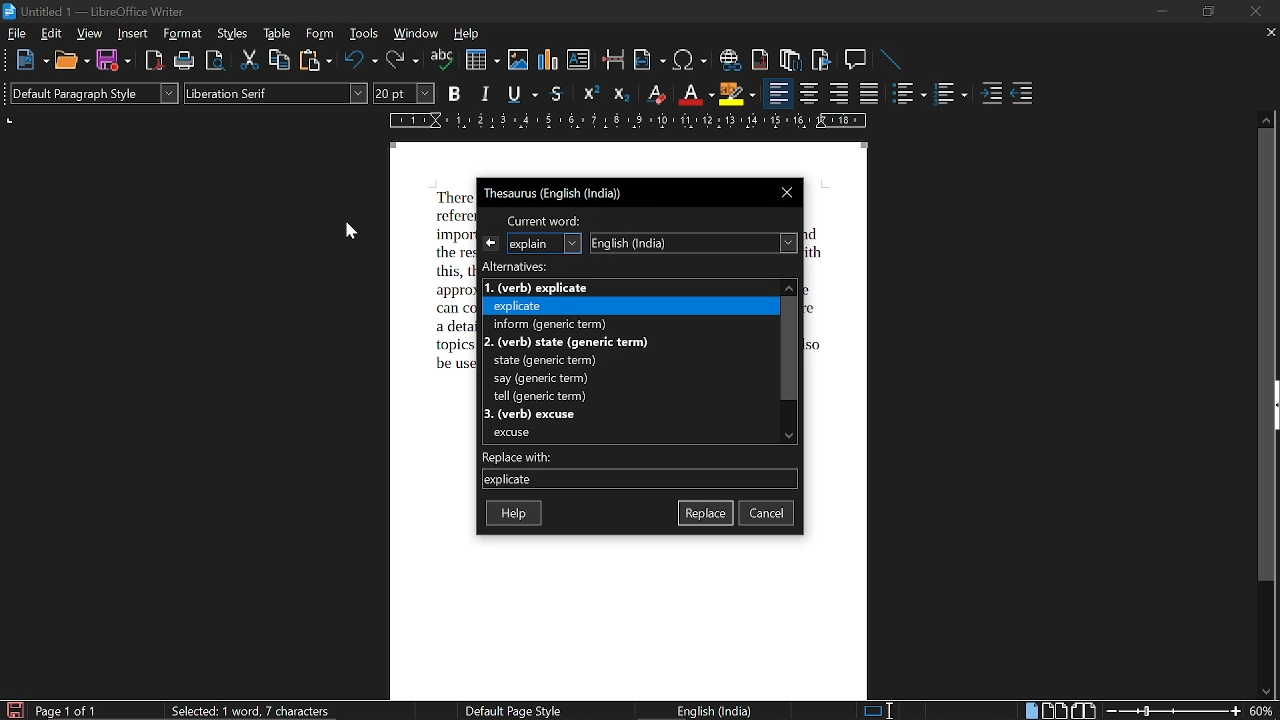 The height and width of the screenshot is (720, 1280). Describe the element at coordinates (1253, 12) in the screenshot. I see `close` at that location.